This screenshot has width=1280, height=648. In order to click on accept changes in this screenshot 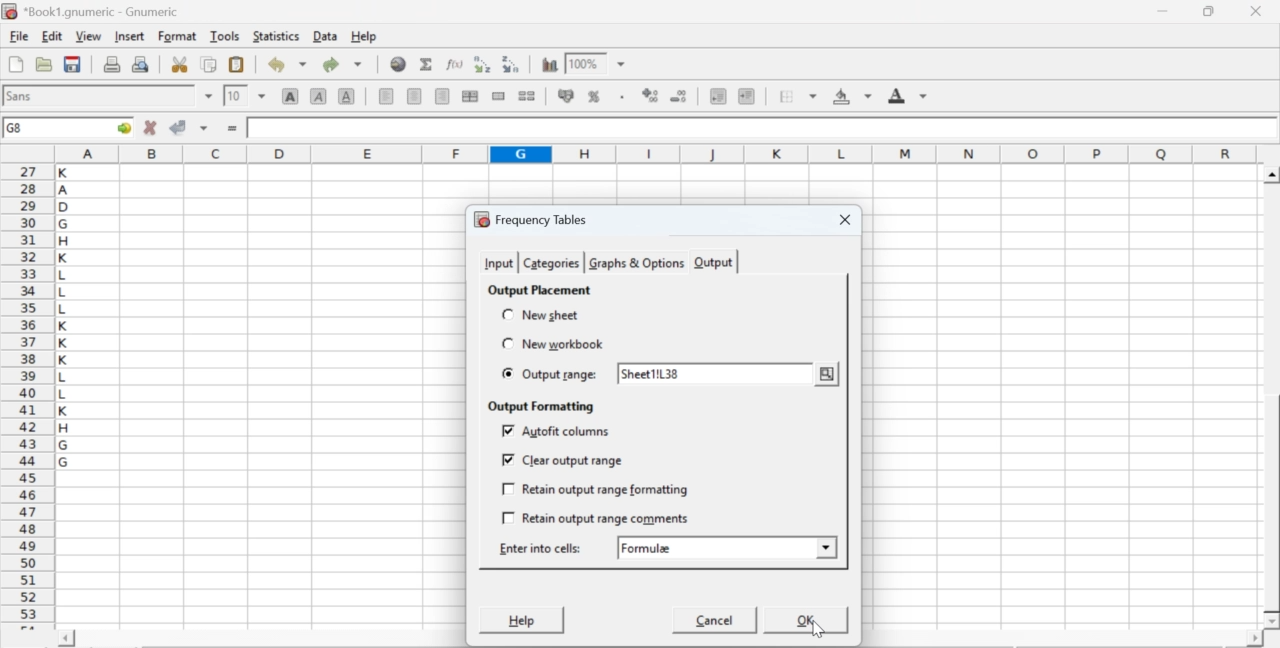, I will do `click(179, 126)`.